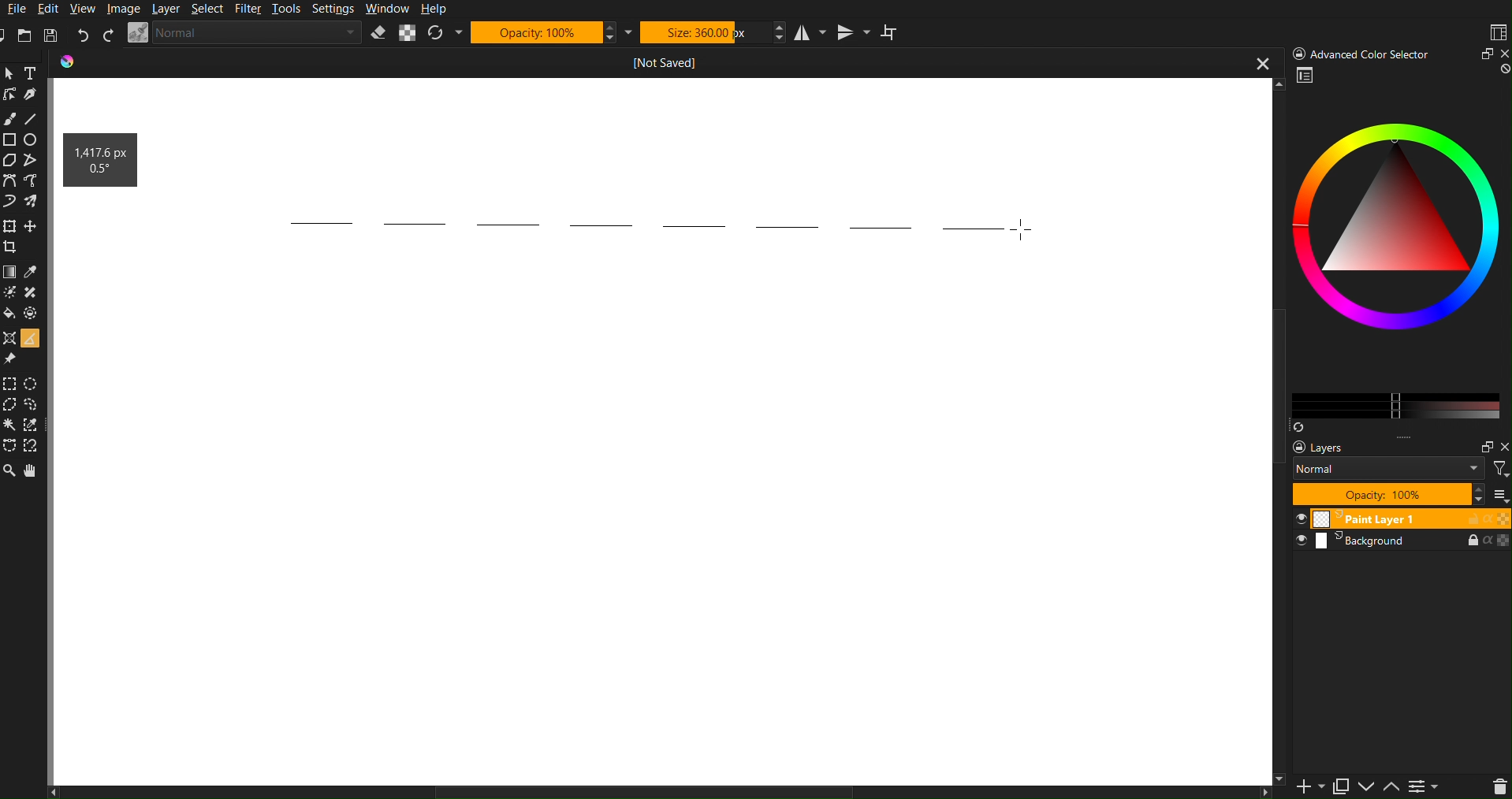  Describe the element at coordinates (434, 9) in the screenshot. I see `Help` at that location.